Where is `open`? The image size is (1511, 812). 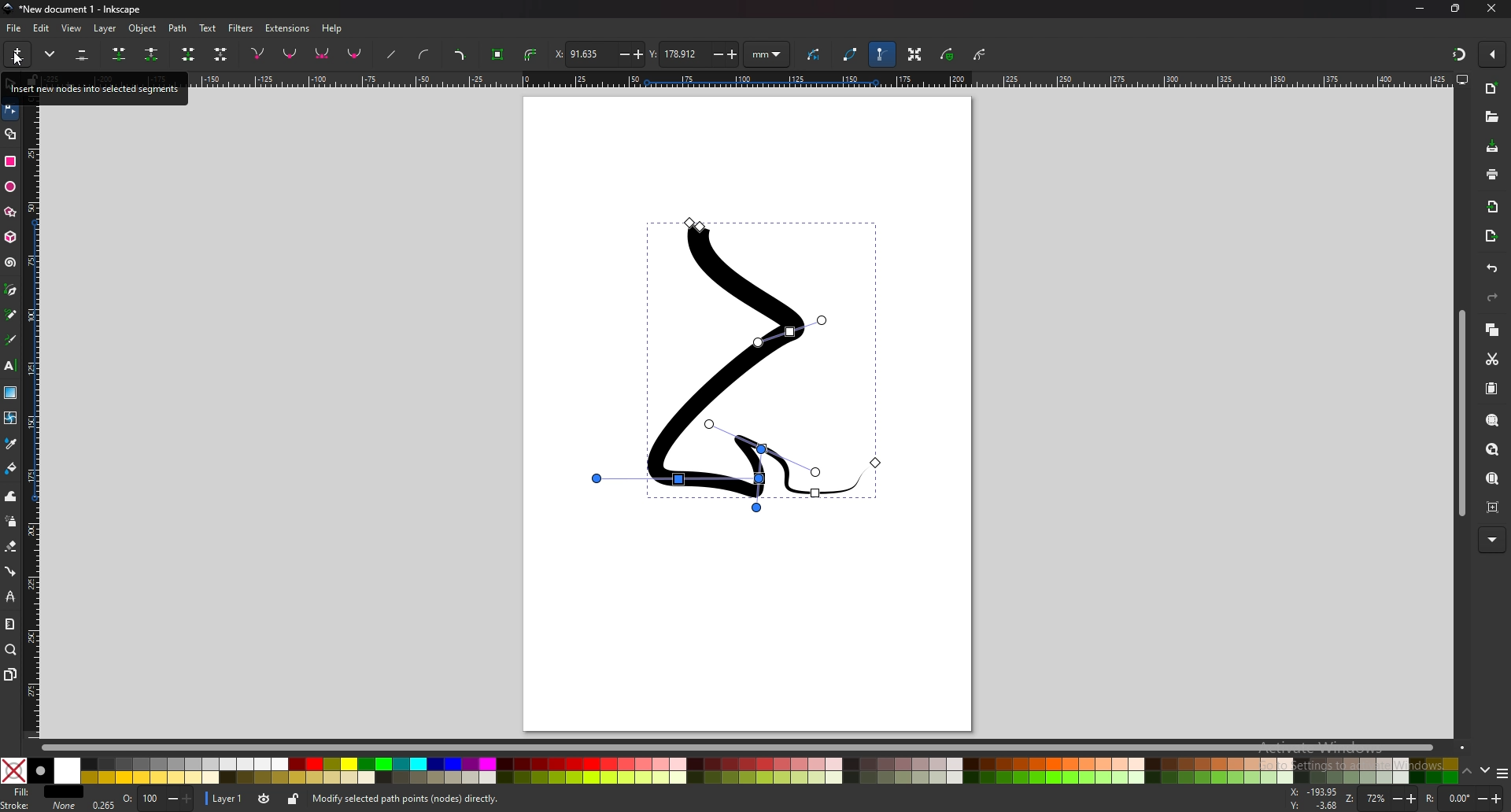
open is located at coordinates (1491, 117).